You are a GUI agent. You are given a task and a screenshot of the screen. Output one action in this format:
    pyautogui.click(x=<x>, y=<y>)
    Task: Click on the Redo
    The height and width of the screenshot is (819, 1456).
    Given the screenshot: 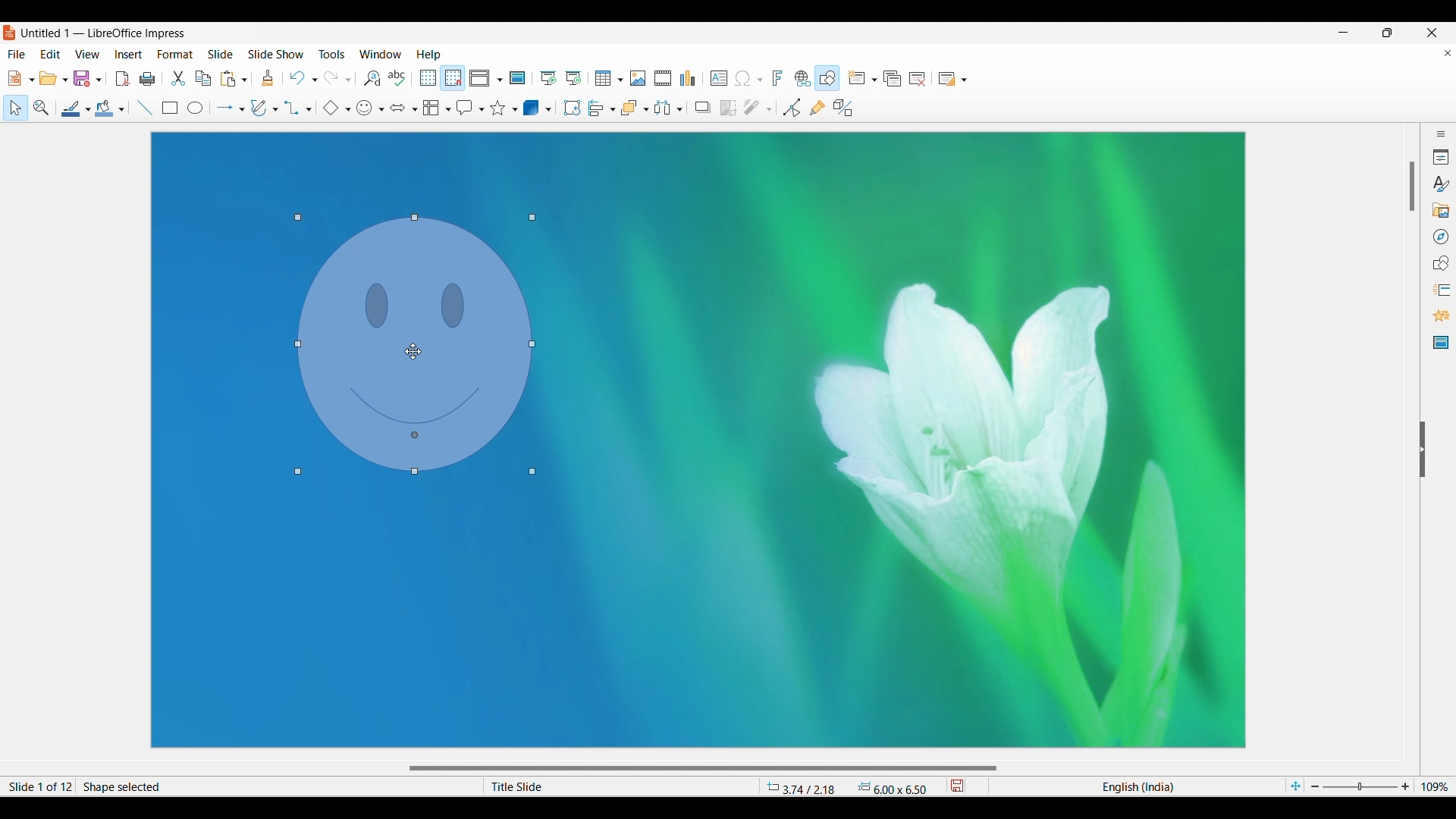 What is the action you would take?
    pyautogui.click(x=332, y=78)
    